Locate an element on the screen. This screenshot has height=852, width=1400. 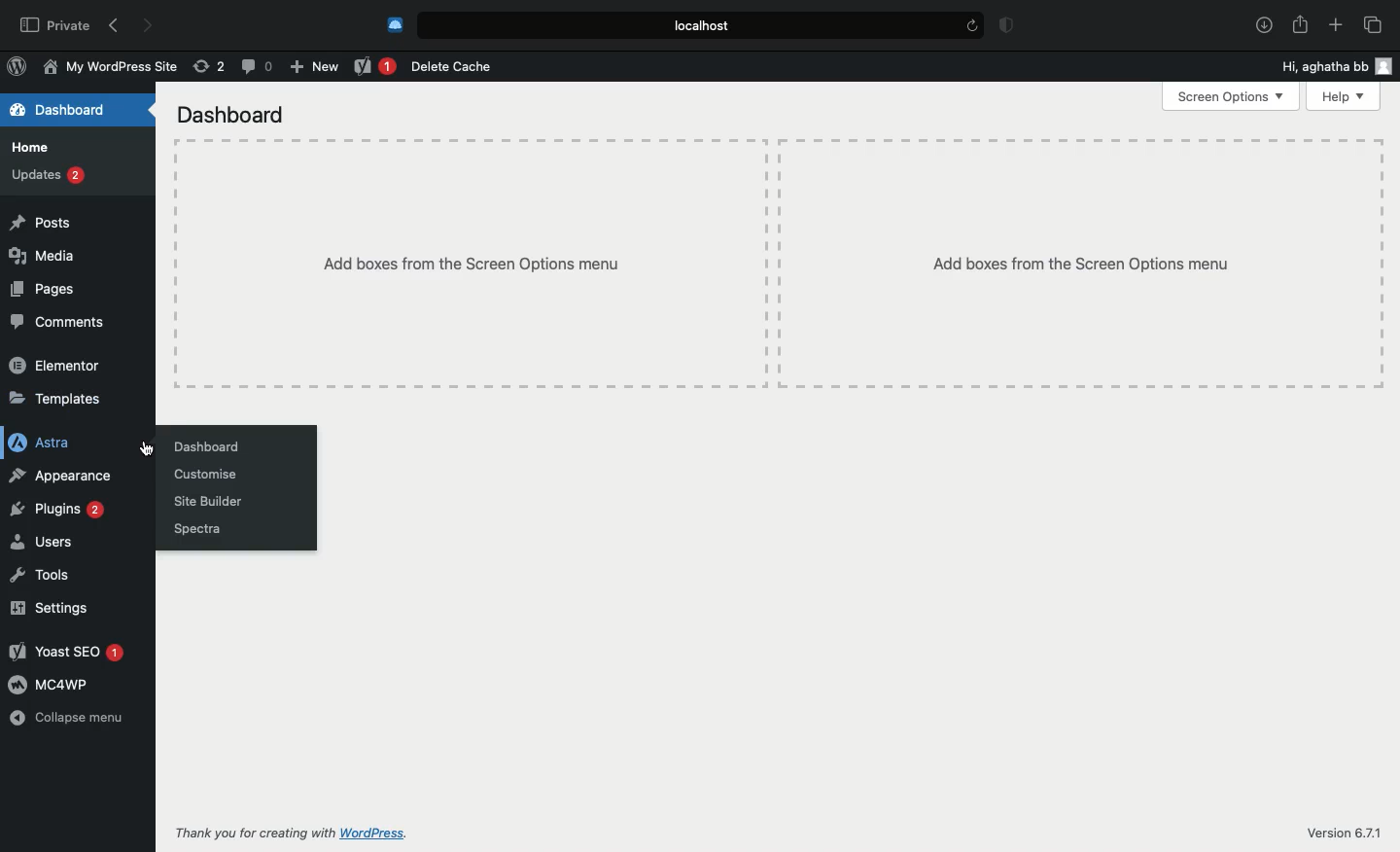
Tabs is located at coordinates (1374, 24).